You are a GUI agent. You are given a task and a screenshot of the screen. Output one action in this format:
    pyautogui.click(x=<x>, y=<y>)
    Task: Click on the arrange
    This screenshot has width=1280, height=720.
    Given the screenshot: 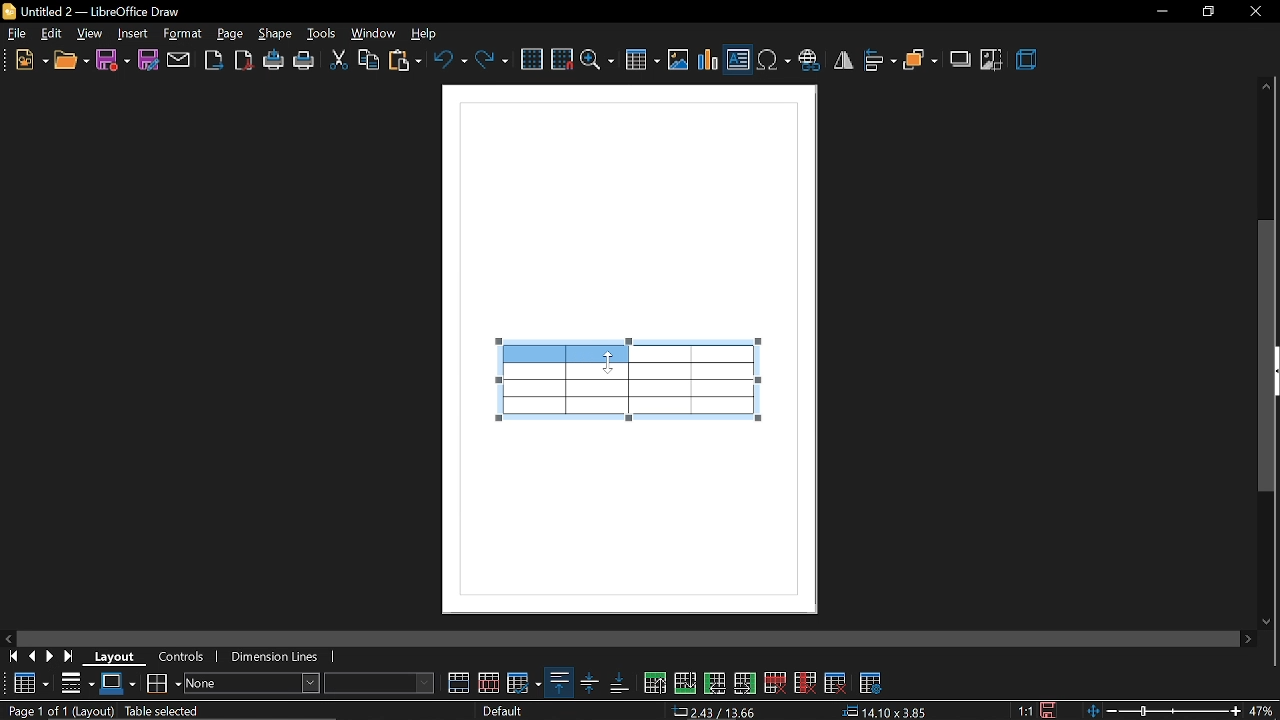 What is the action you would take?
    pyautogui.click(x=920, y=57)
    